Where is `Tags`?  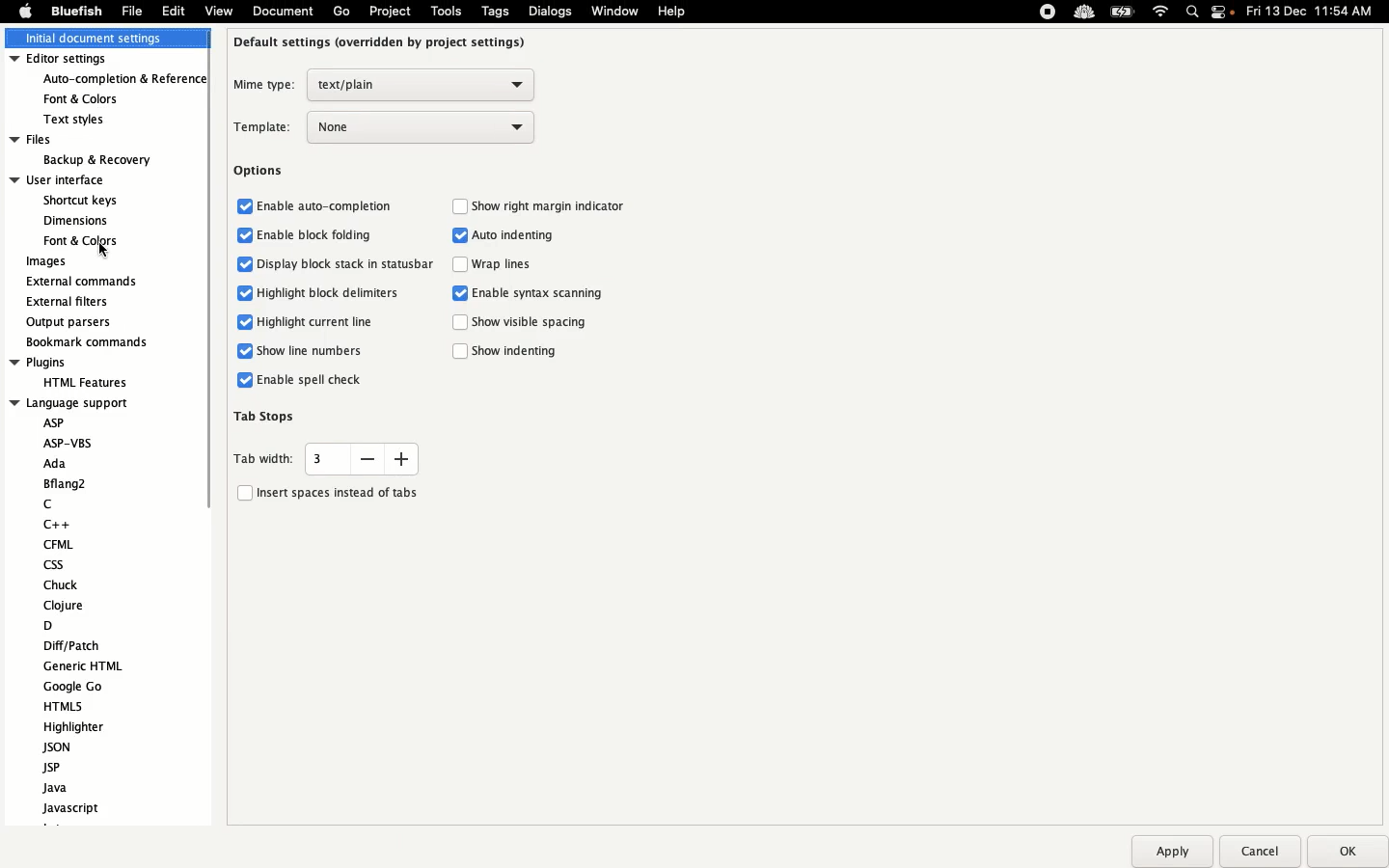 Tags is located at coordinates (497, 11).